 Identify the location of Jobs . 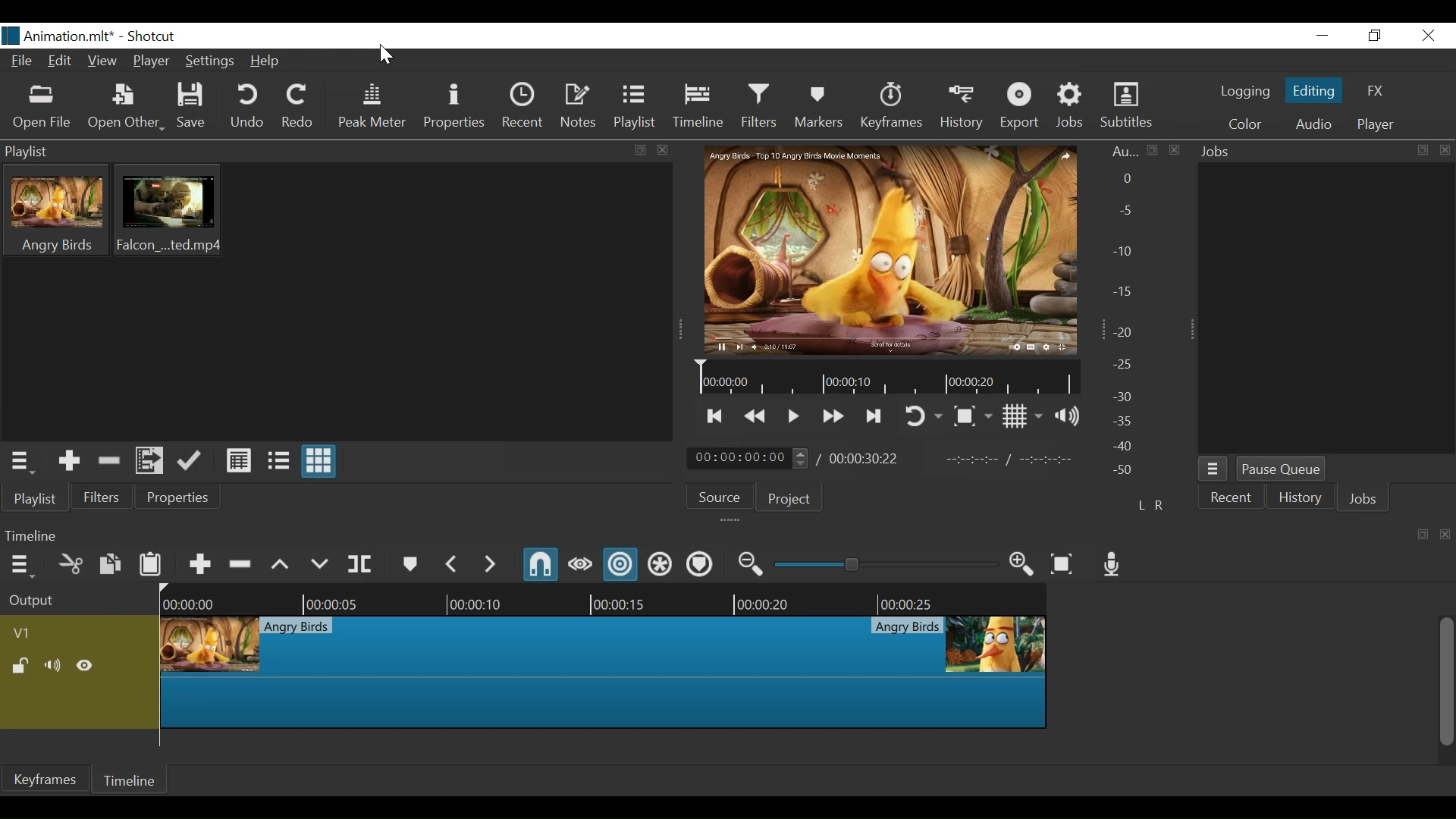
(1363, 497).